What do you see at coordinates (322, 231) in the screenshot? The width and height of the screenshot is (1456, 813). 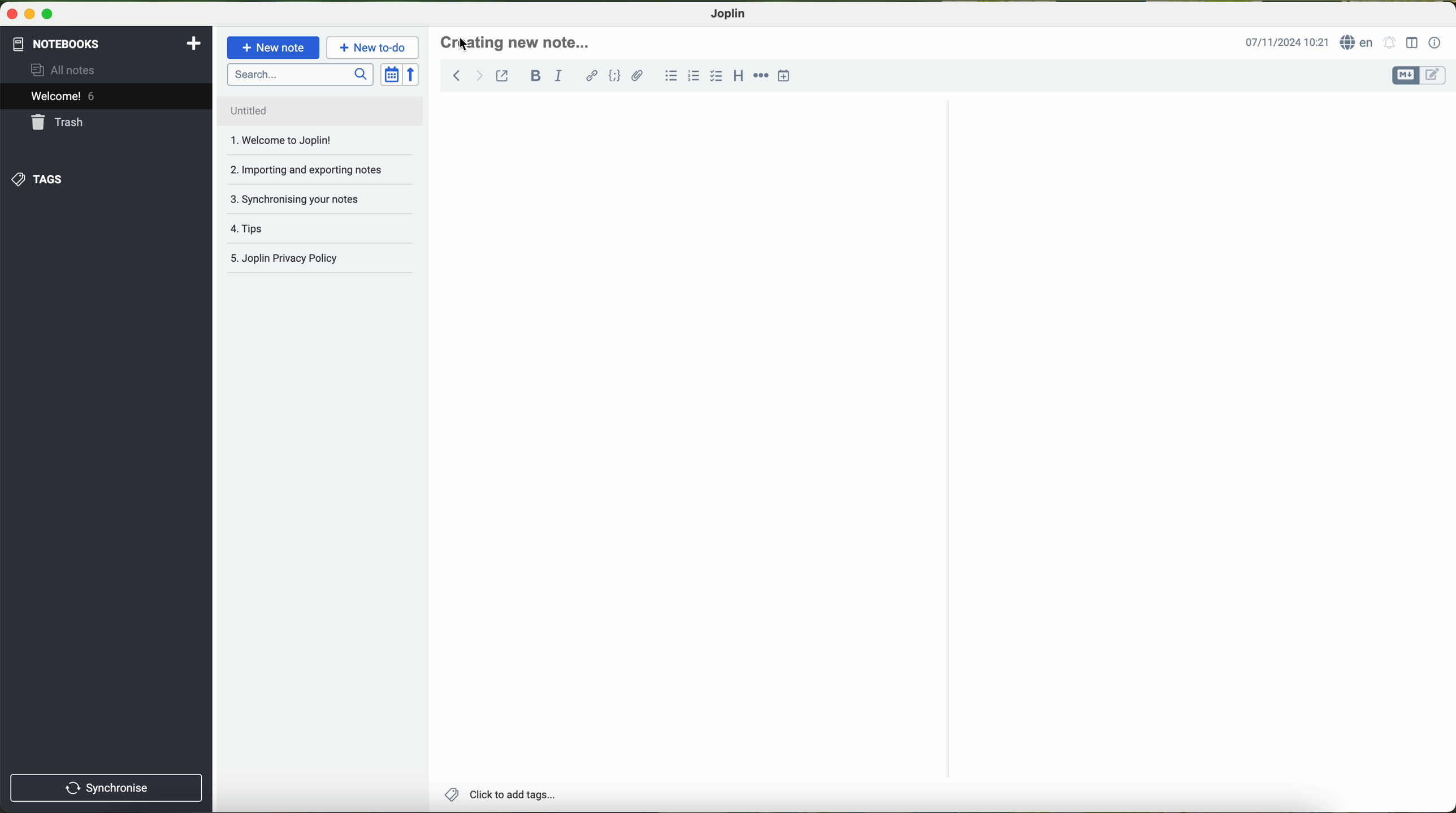 I see `tips` at bounding box center [322, 231].